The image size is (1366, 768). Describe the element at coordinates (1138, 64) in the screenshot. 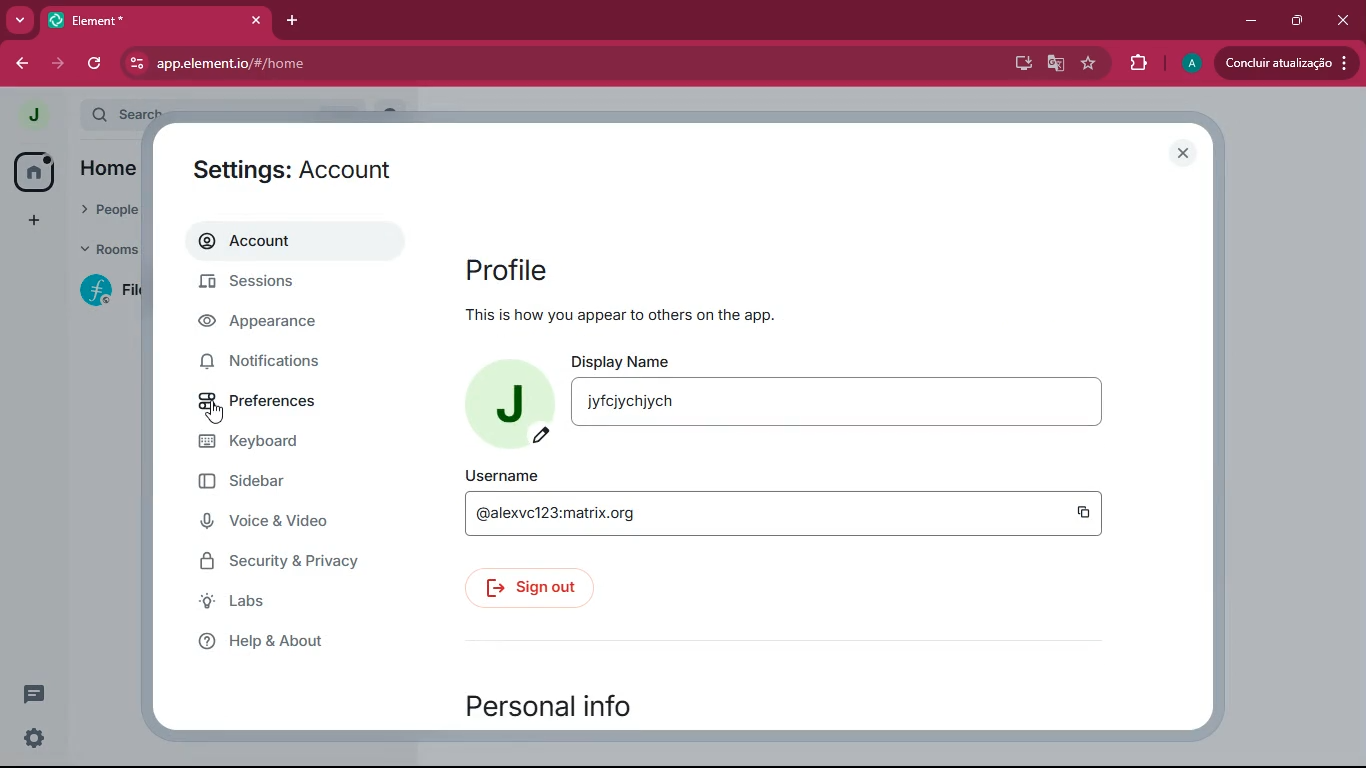

I see `extensions` at that location.